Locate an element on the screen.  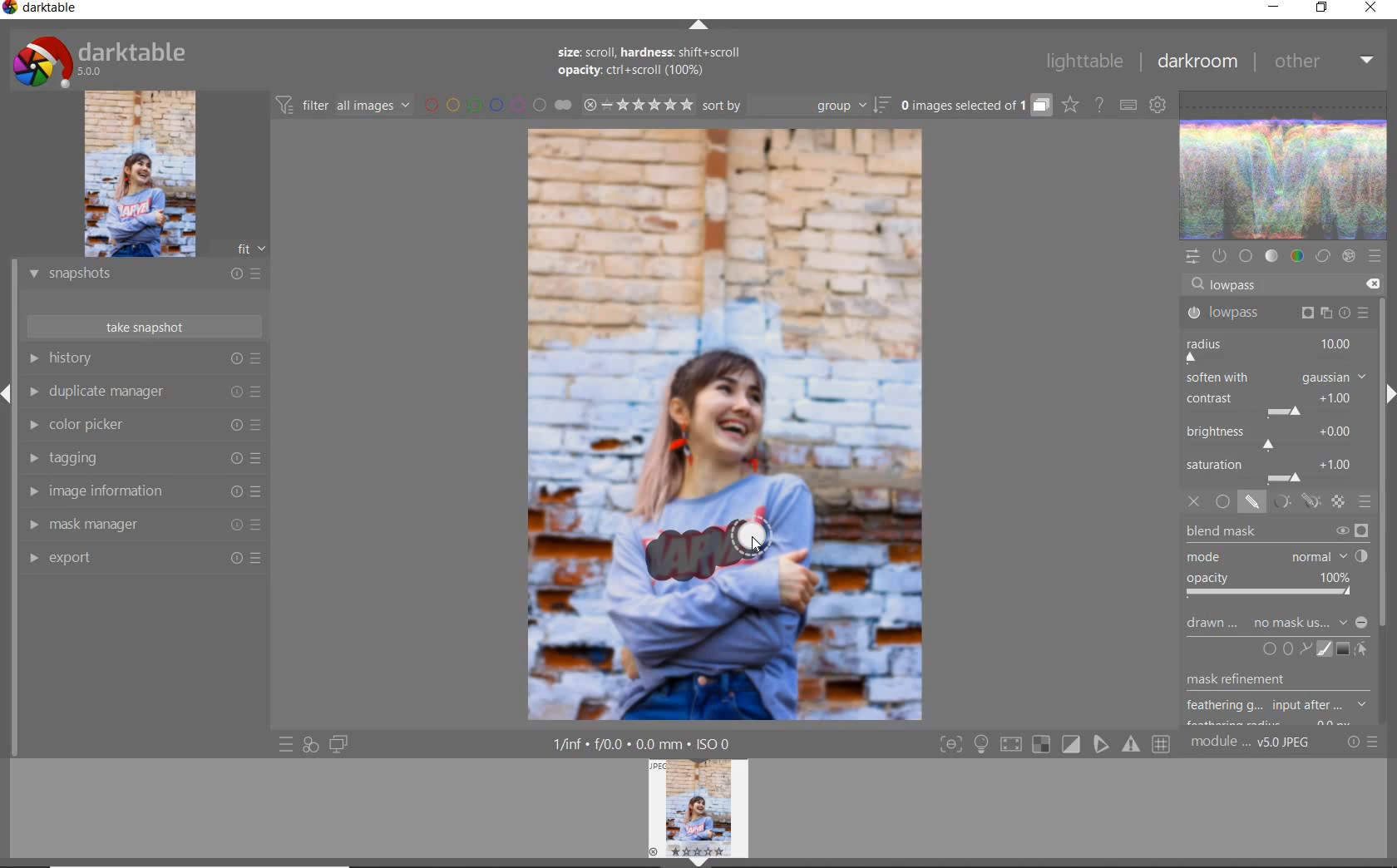
feathering g... is located at coordinates (1279, 706).